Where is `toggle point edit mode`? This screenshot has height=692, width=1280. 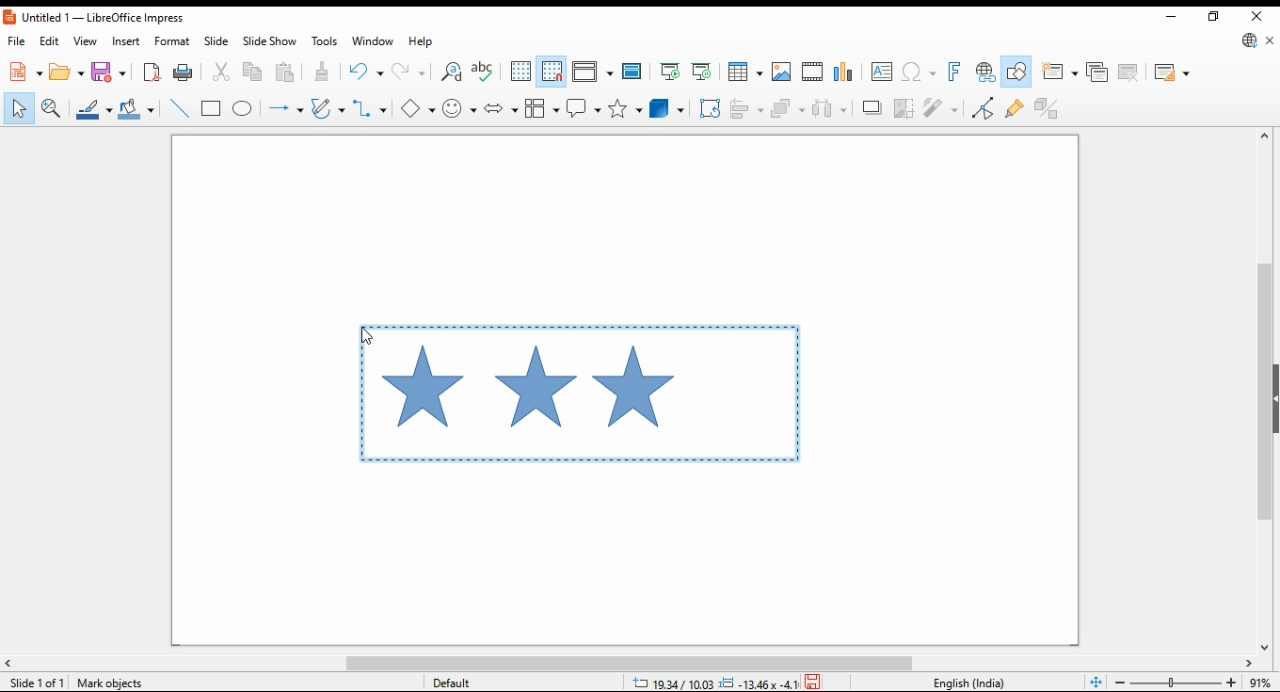 toggle point edit mode is located at coordinates (982, 107).